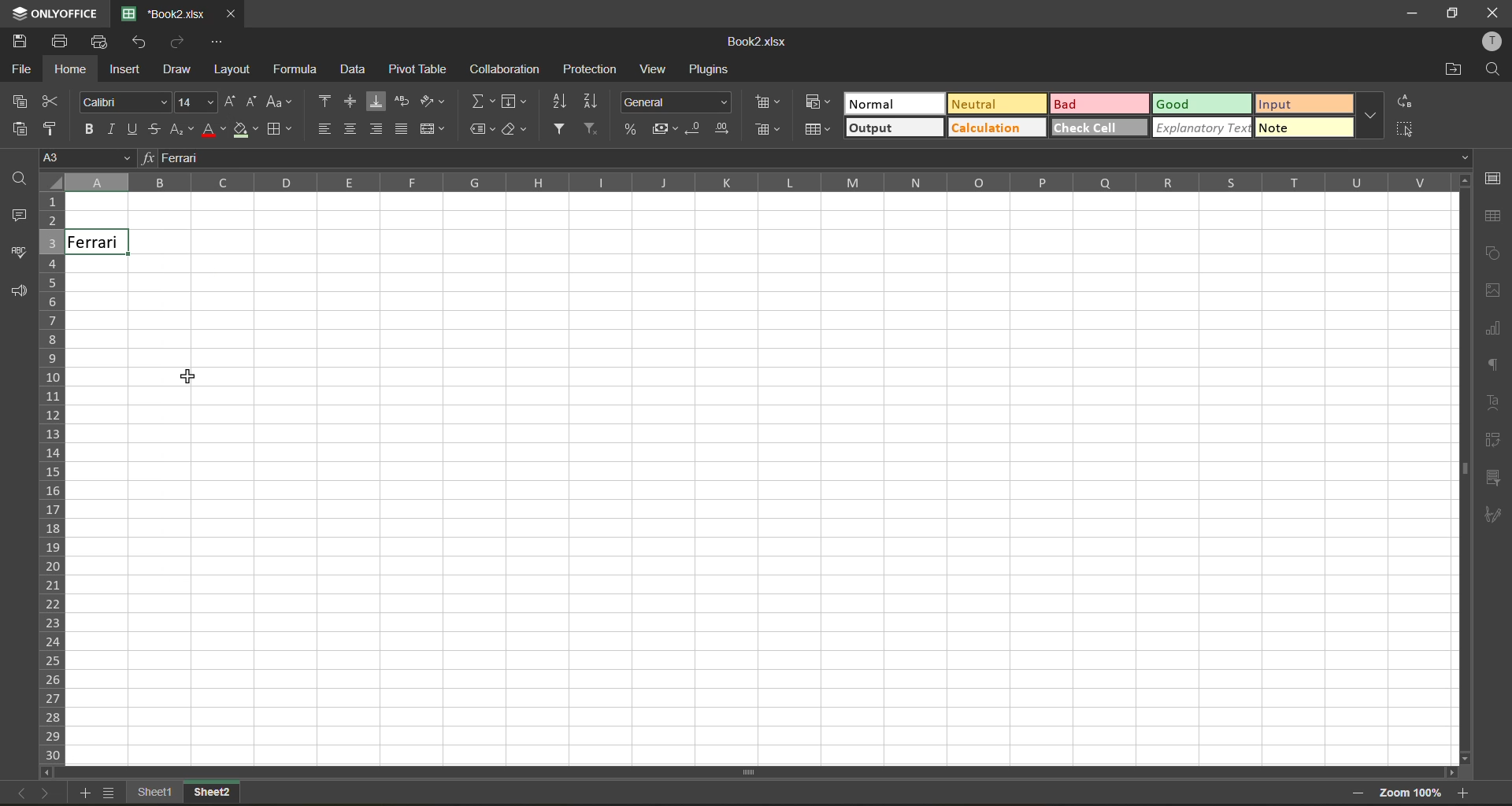 The image size is (1512, 806). Describe the element at coordinates (515, 101) in the screenshot. I see `fields` at that location.